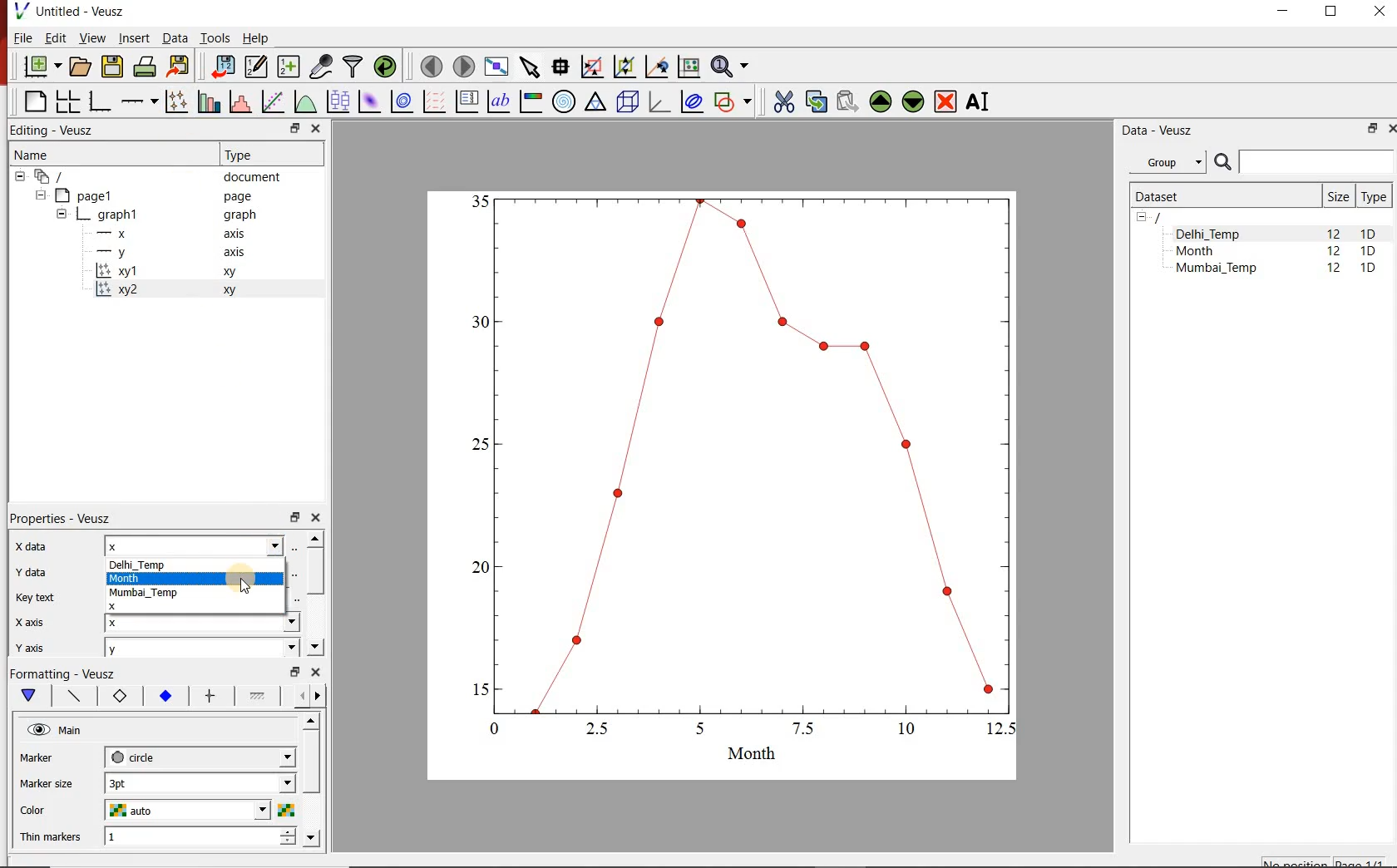 This screenshot has height=868, width=1397. What do you see at coordinates (814, 101) in the screenshot?
I see `copy the selected widget` at bounding box center [814, 101].